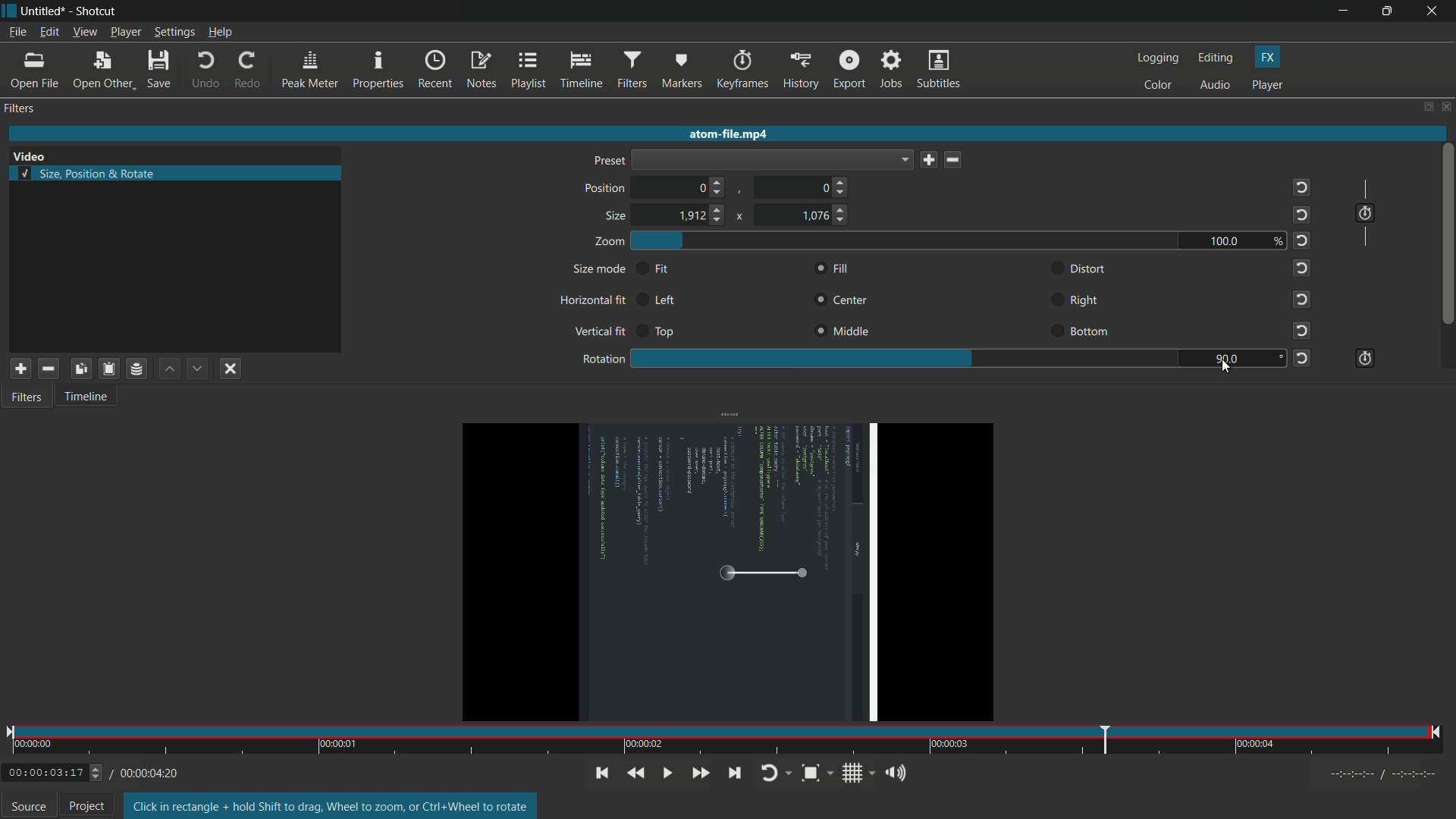  I want to click on |, so click(1363, 184).